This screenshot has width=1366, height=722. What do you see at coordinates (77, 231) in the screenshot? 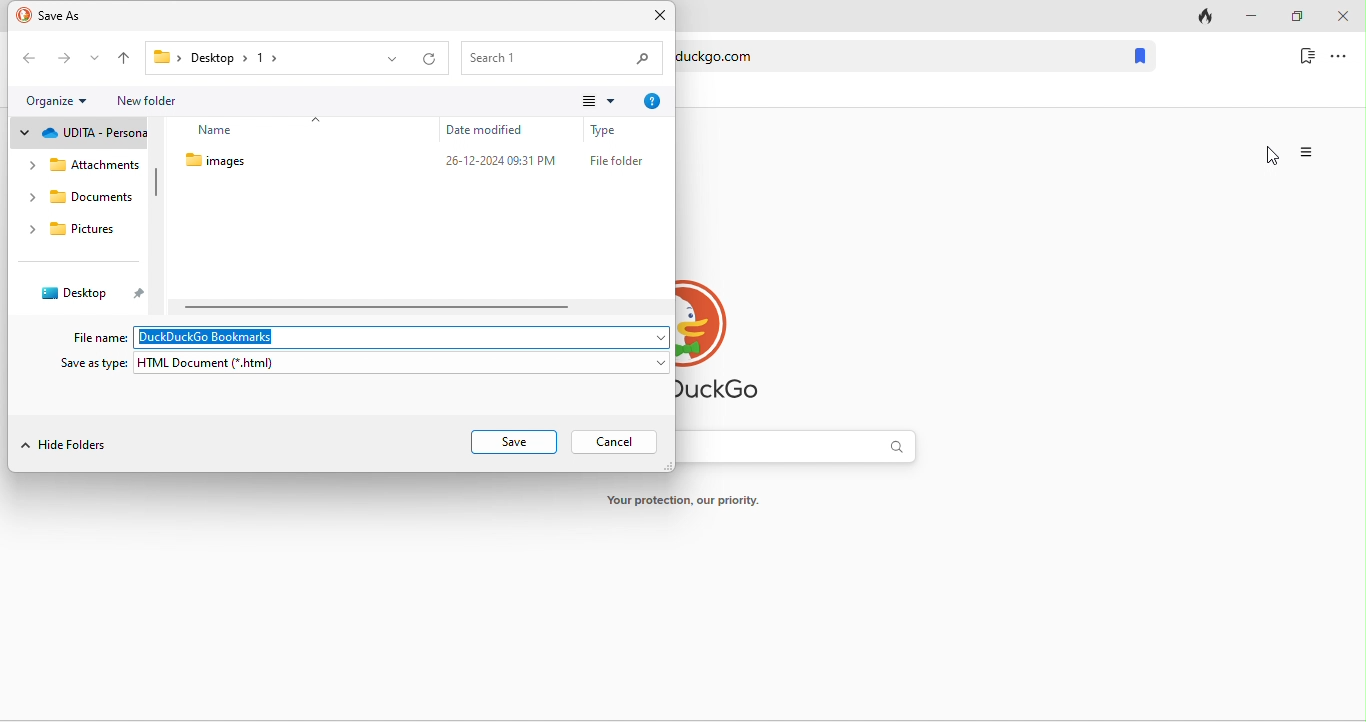
I see `pictures` at bounding box center [77, 231].